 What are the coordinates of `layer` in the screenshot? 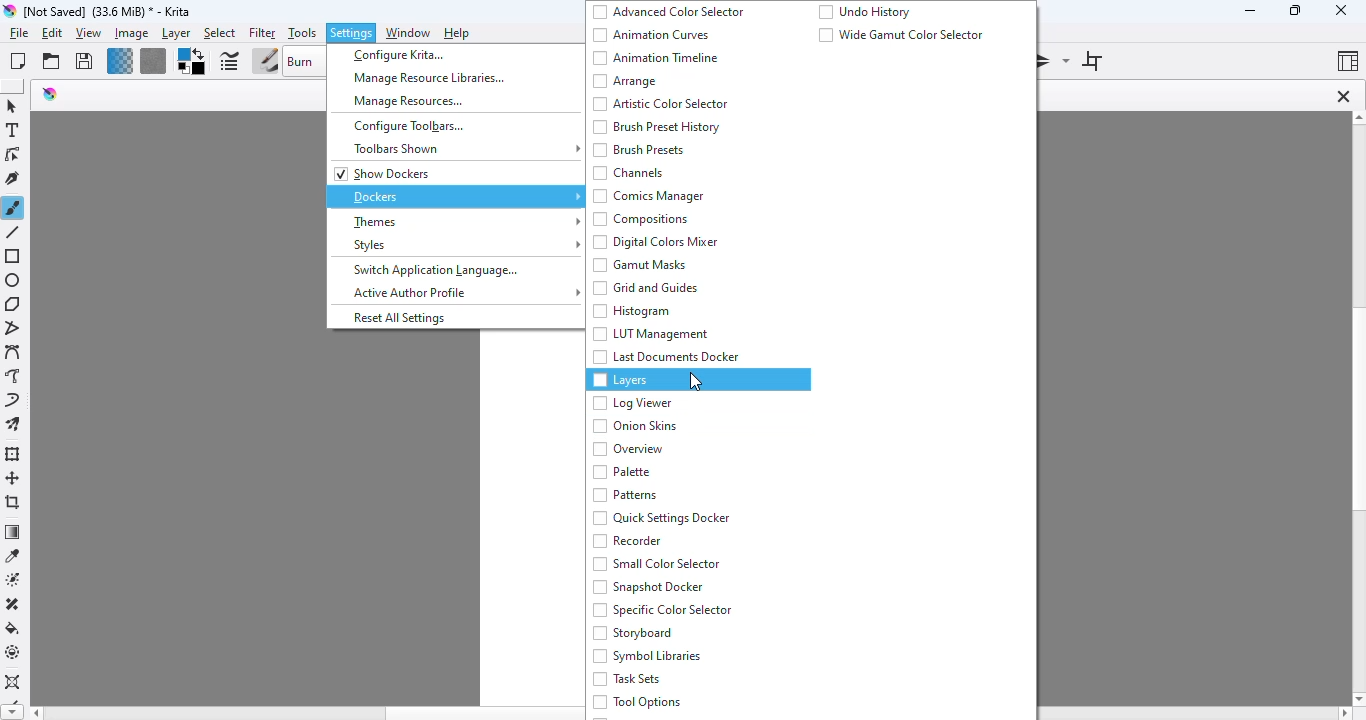 It's located at (176, 34).